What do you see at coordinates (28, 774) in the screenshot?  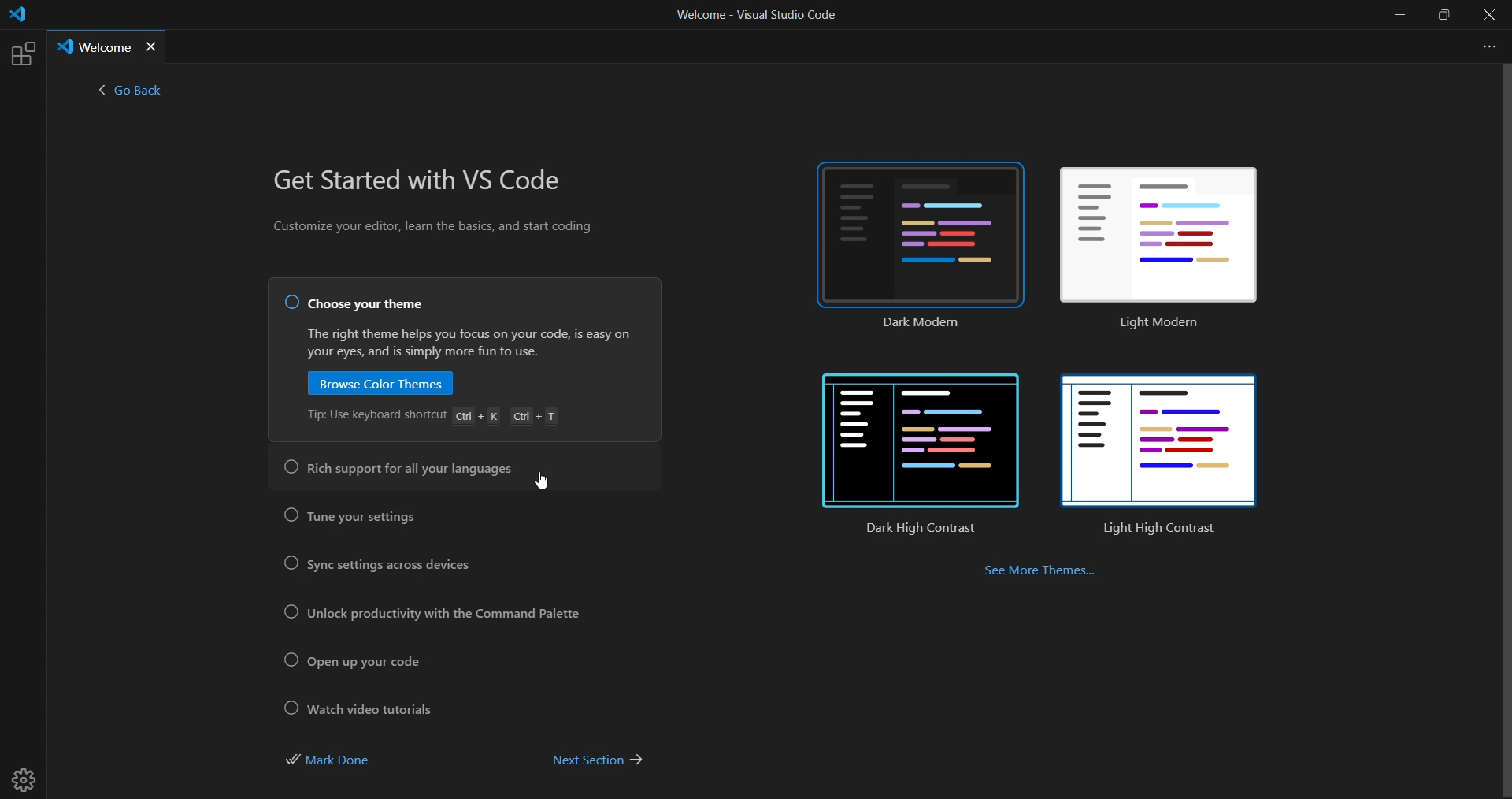 I see `settings` at bounding box center [28, 774].